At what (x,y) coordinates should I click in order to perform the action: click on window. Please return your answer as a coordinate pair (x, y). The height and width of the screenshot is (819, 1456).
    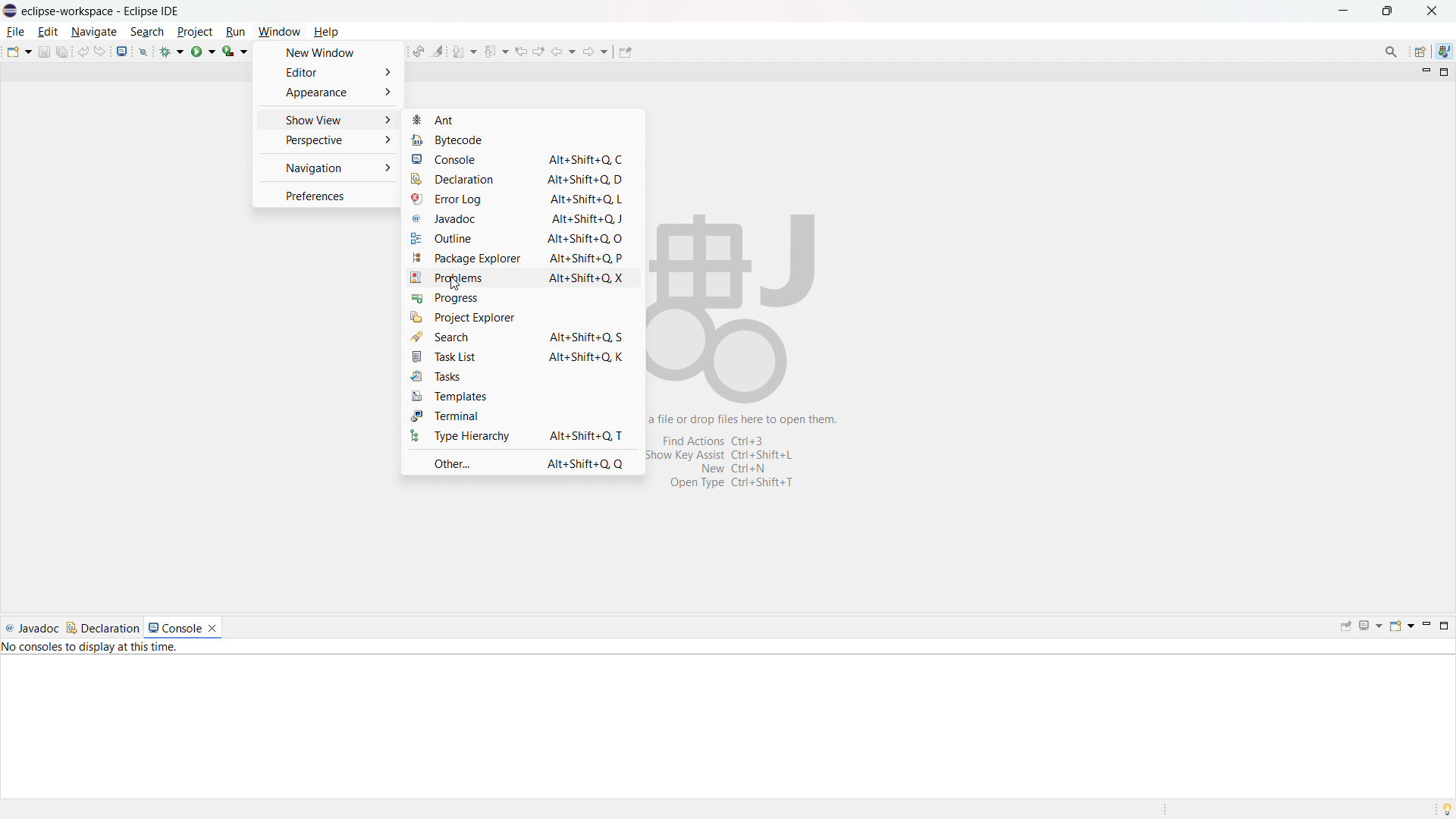
    Looking at the image, I should click on (279, 32).